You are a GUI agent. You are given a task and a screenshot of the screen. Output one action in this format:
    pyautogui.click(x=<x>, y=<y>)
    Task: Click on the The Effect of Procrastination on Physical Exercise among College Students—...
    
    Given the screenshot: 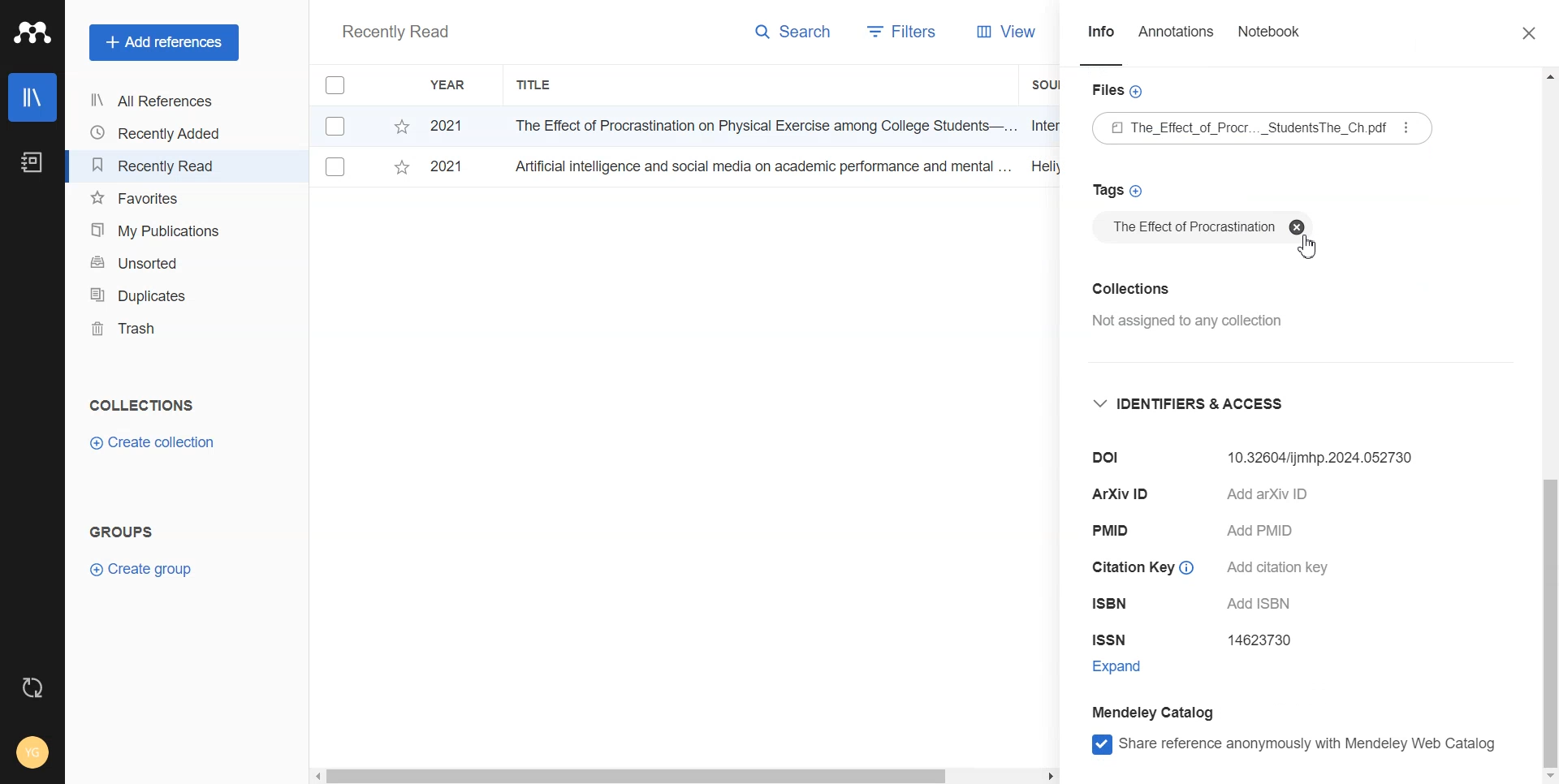 What is the action you would take?
    pyautogui.click(x=759, y=125)
    